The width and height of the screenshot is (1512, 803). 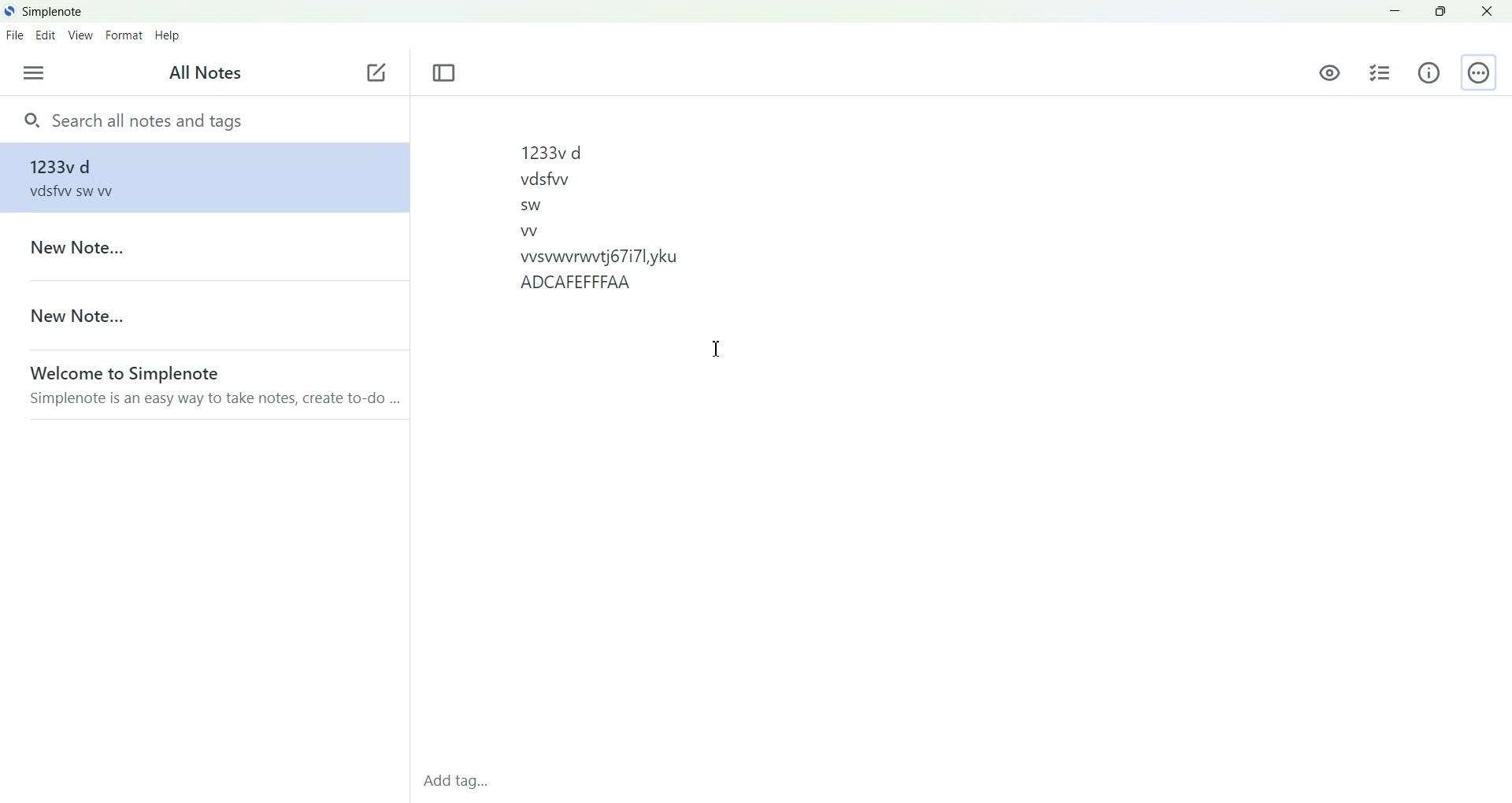 I want to click on Format, so click(x=125, y=35).